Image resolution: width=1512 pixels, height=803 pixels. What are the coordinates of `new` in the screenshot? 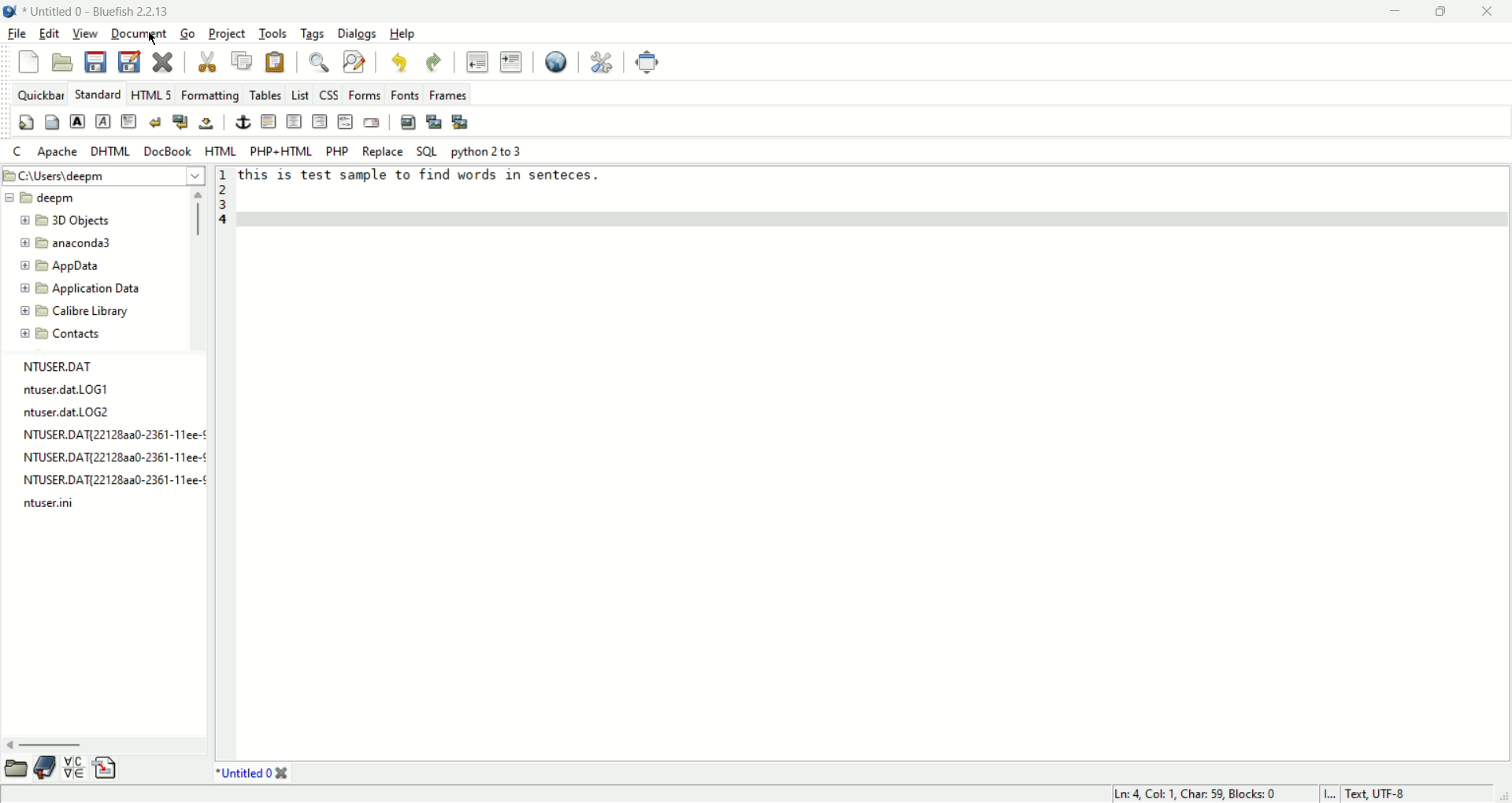 It's located at (28, 63).